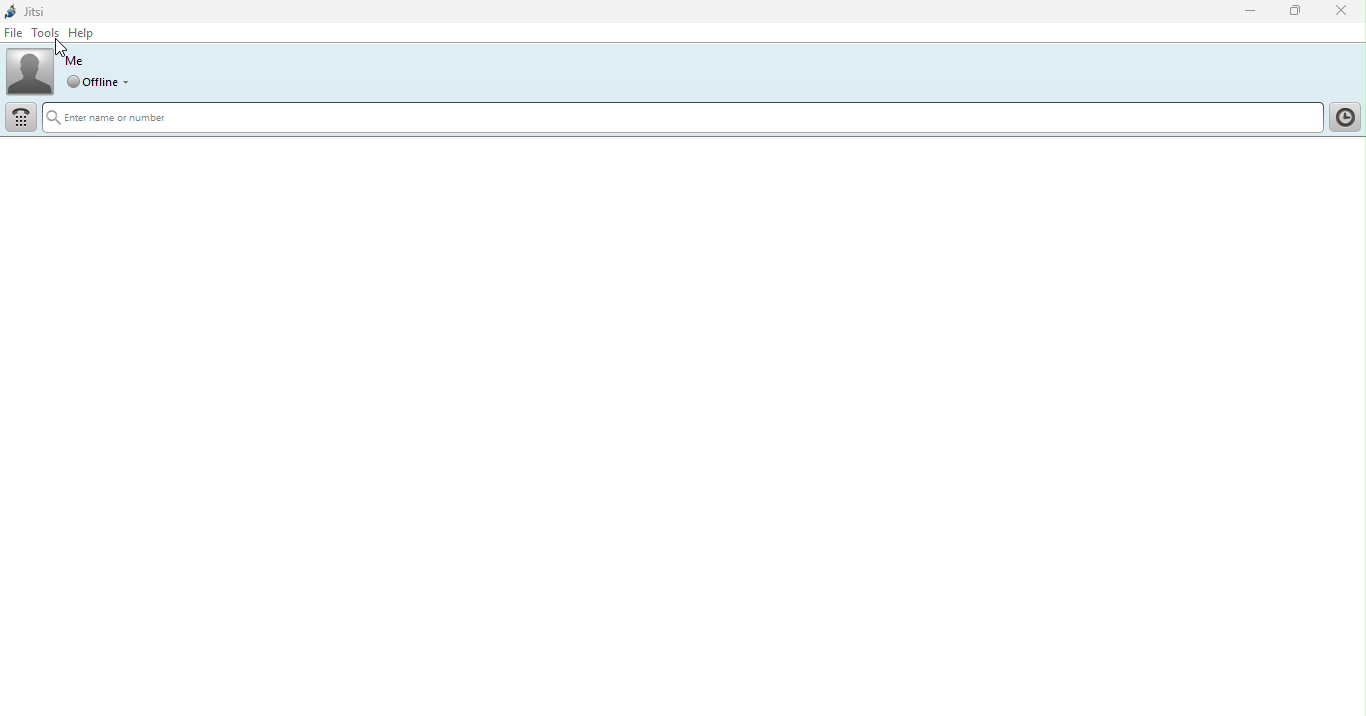 Image resolution: width=1366 pixels, height=716 pixels. What do you see at coordinates (29, 11) in the screenshot?
I see `Jitsi logo` at bounding box center [29, 11].